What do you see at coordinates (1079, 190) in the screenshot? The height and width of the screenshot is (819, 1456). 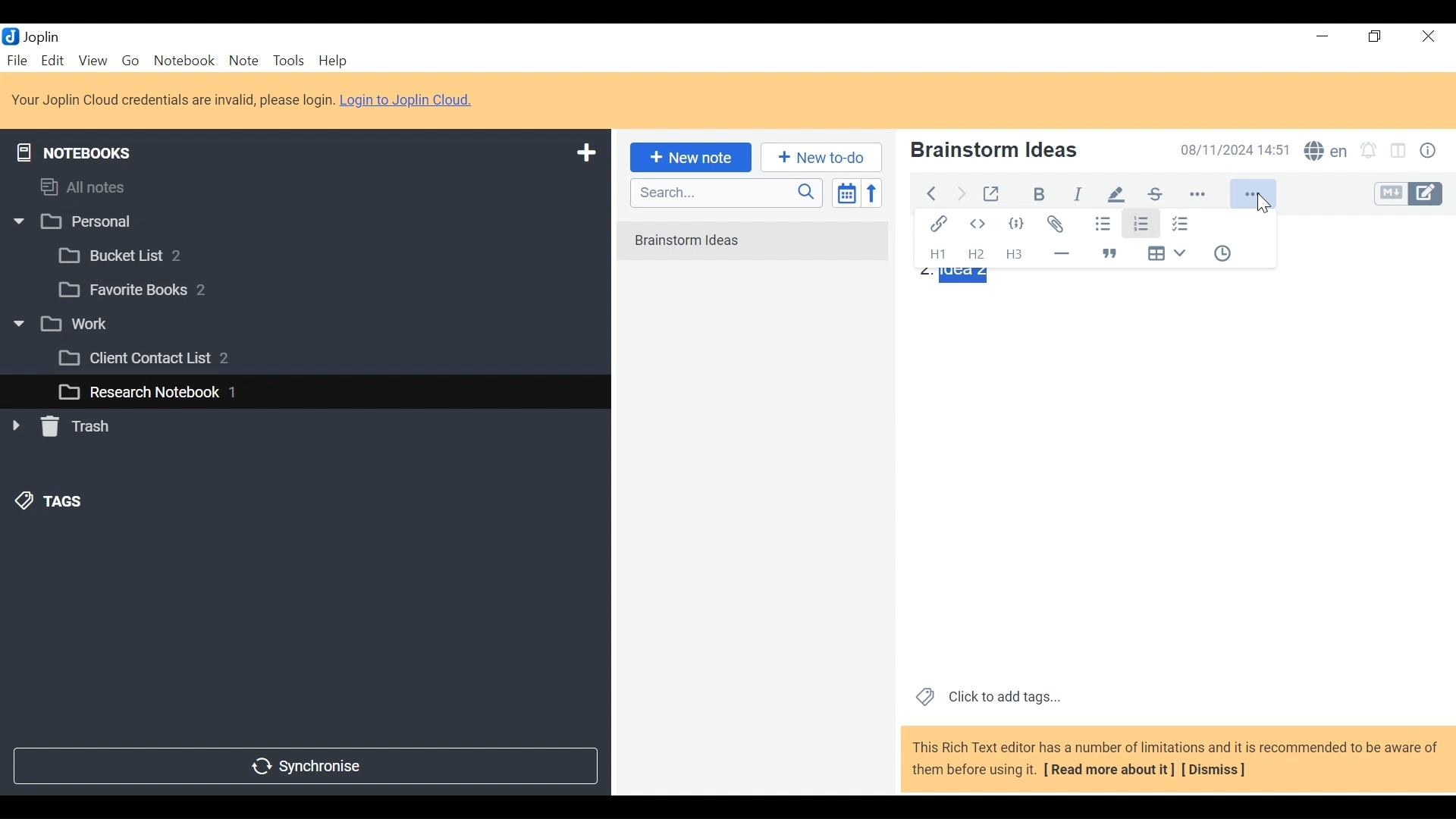 I see `italiac` at bounding box center [1079, 190].